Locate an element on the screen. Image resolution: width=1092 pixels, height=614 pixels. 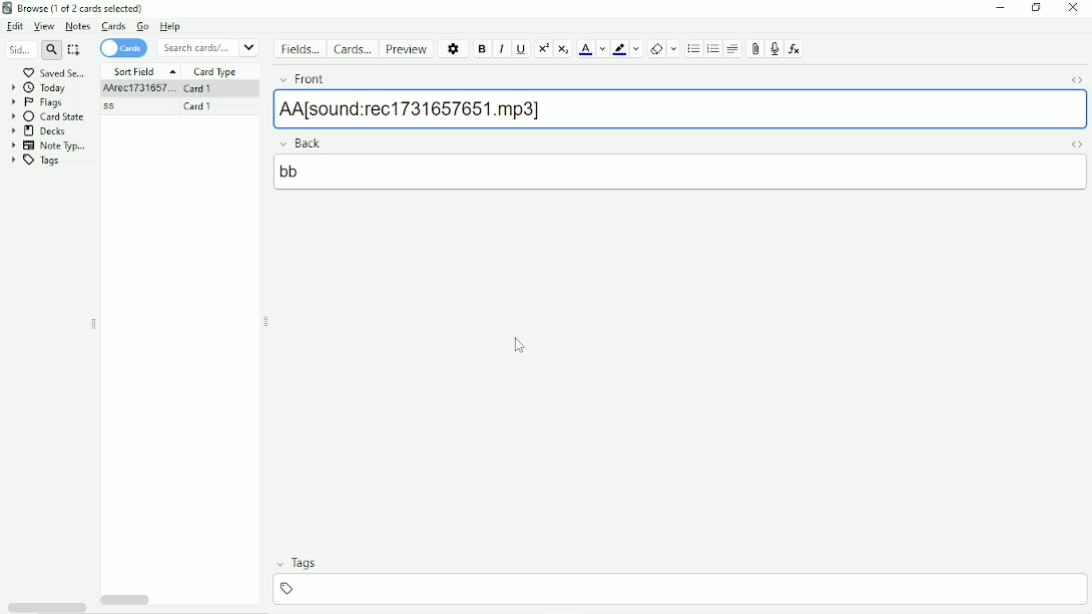
Attach picture/audio/video is located at coordinates (754, 48).